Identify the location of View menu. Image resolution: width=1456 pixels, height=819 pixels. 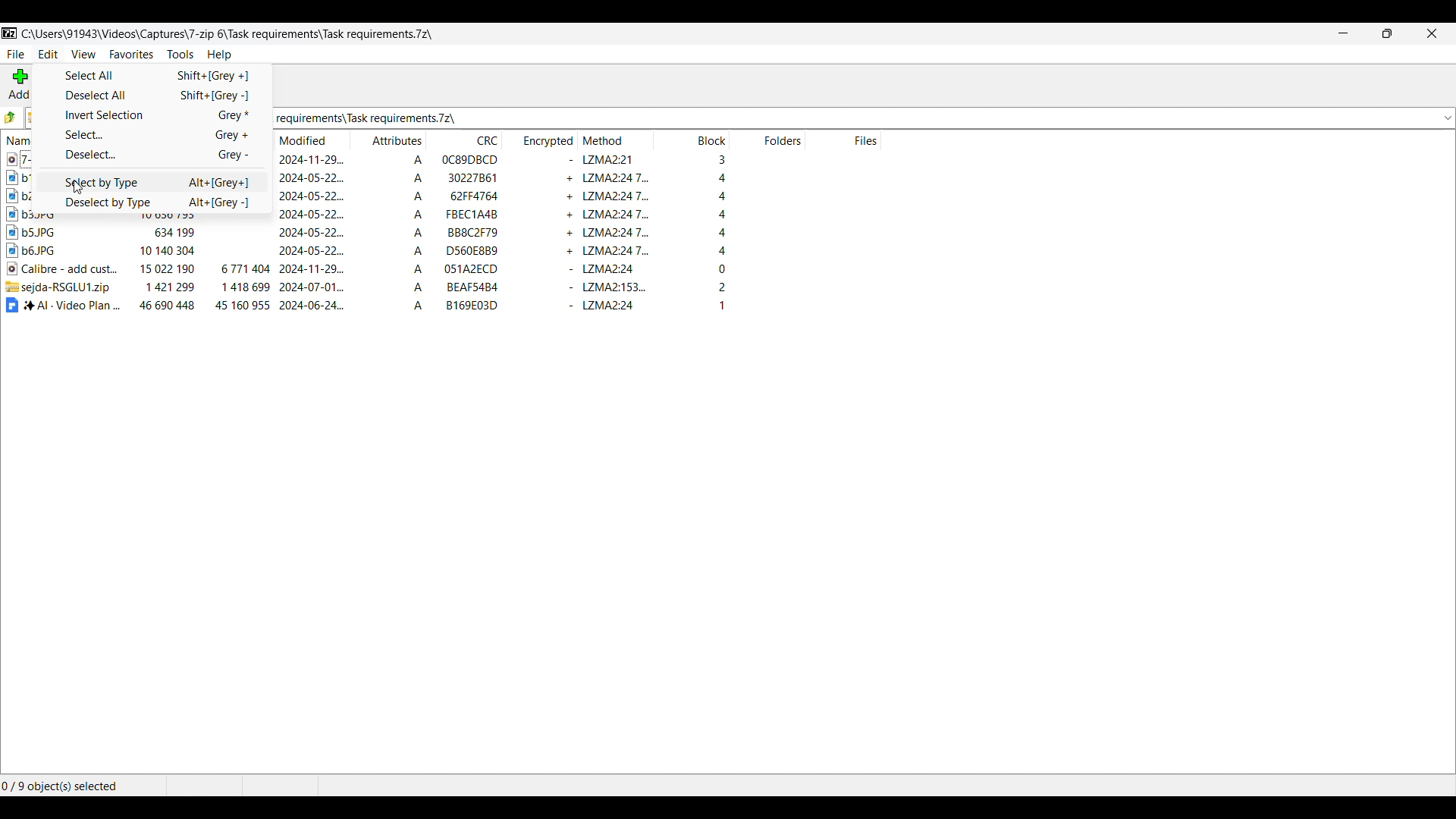
(83, 55).